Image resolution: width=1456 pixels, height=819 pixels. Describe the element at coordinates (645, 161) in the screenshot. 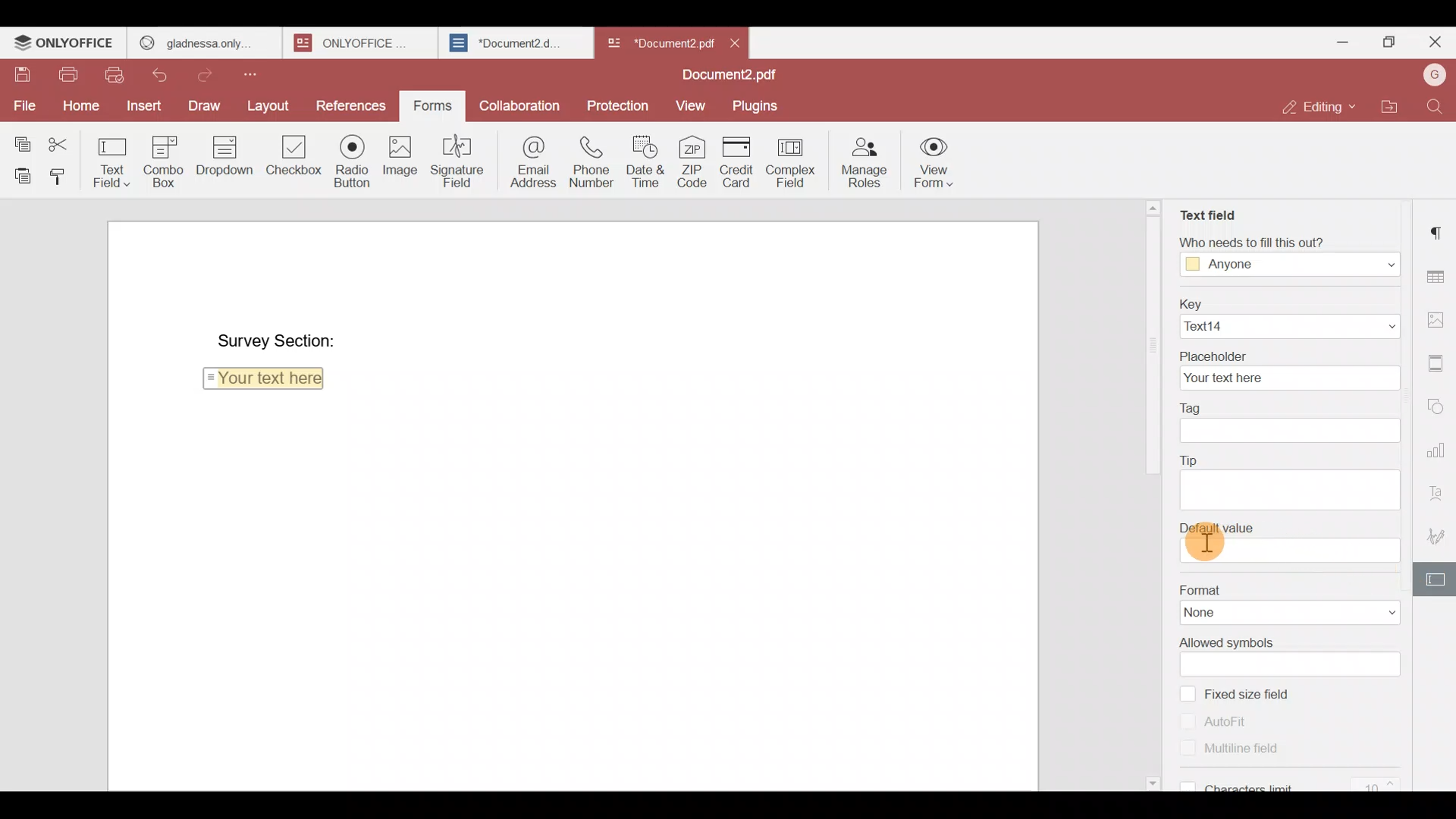

I see `Date & time` at that location.